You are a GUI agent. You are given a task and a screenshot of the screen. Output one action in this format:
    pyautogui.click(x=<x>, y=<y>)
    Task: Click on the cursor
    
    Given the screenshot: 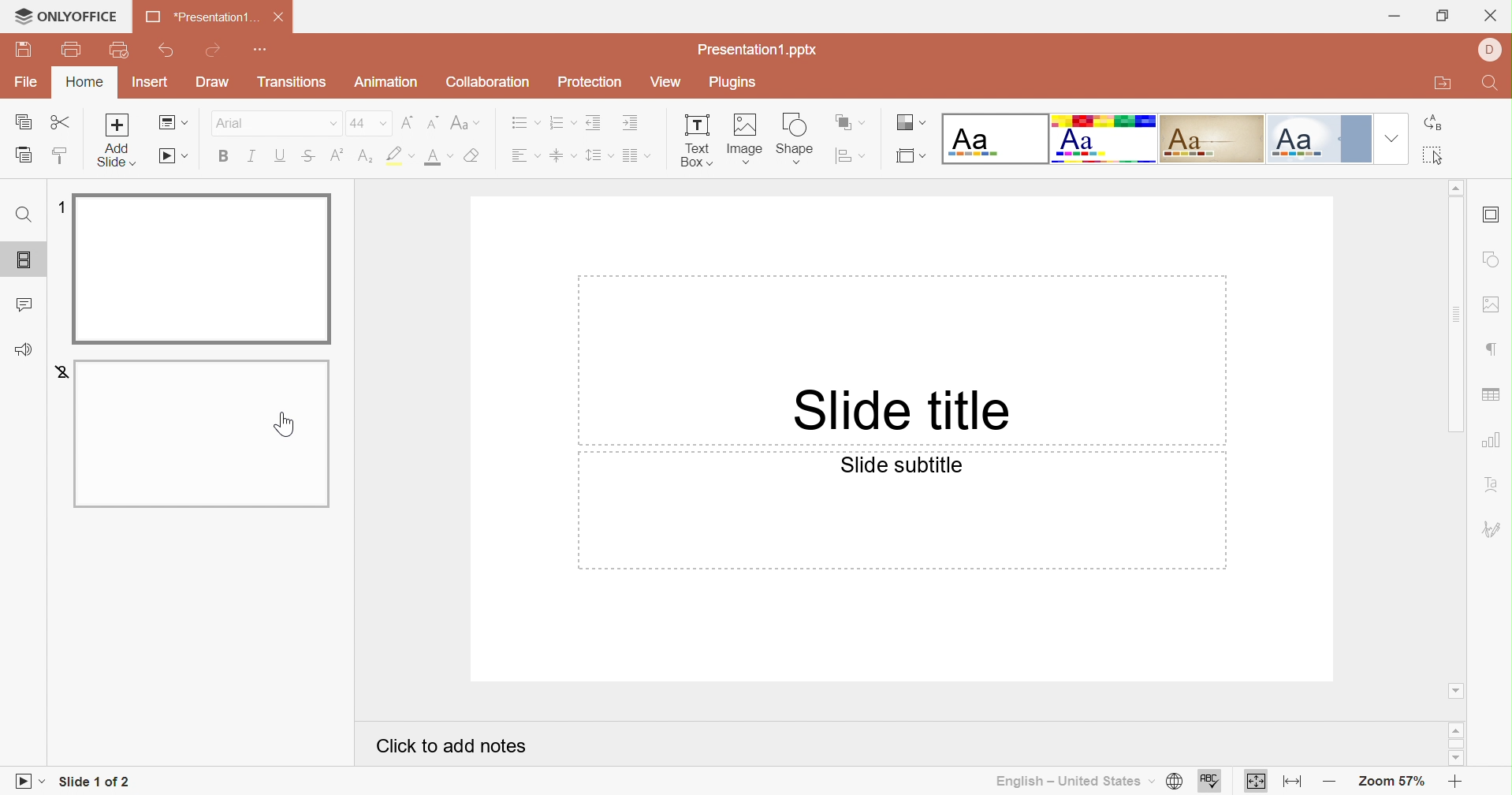 What is the action you would take?
    pyautogui.click(x=286, y=425)
    